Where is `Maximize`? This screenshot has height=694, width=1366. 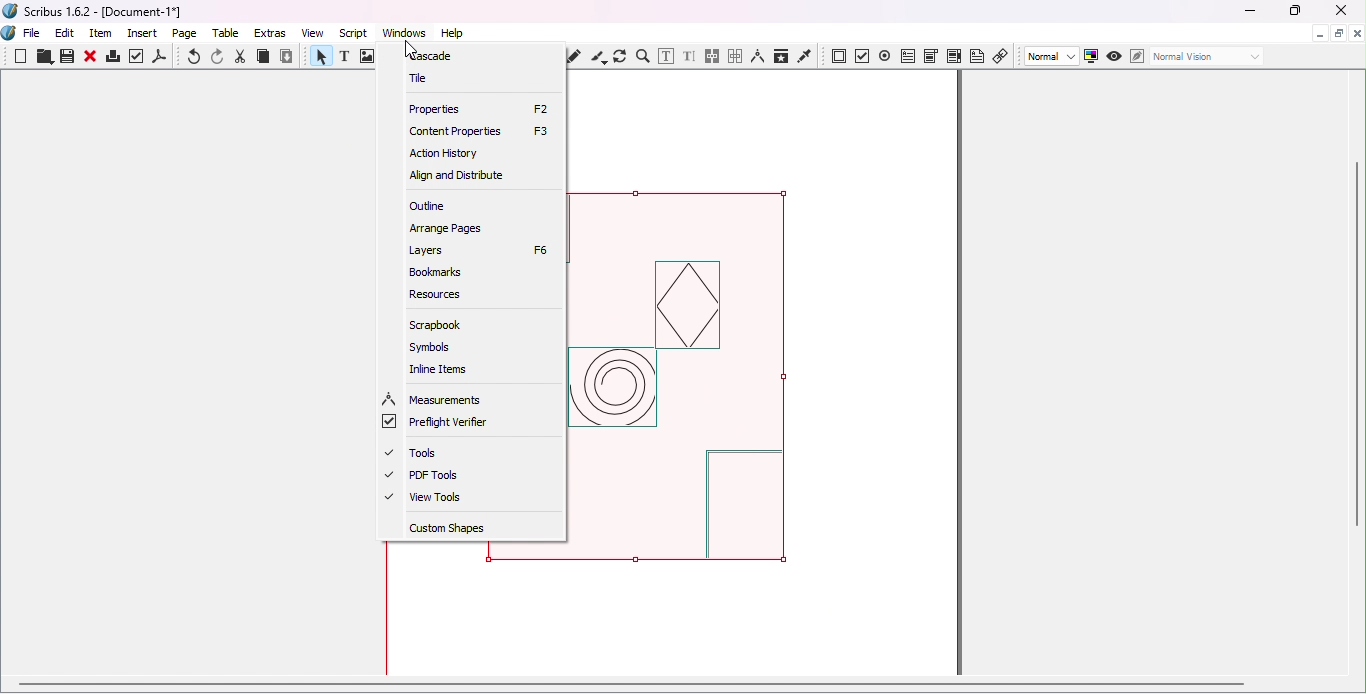 Maximize is located at coordinates (1338, 32).